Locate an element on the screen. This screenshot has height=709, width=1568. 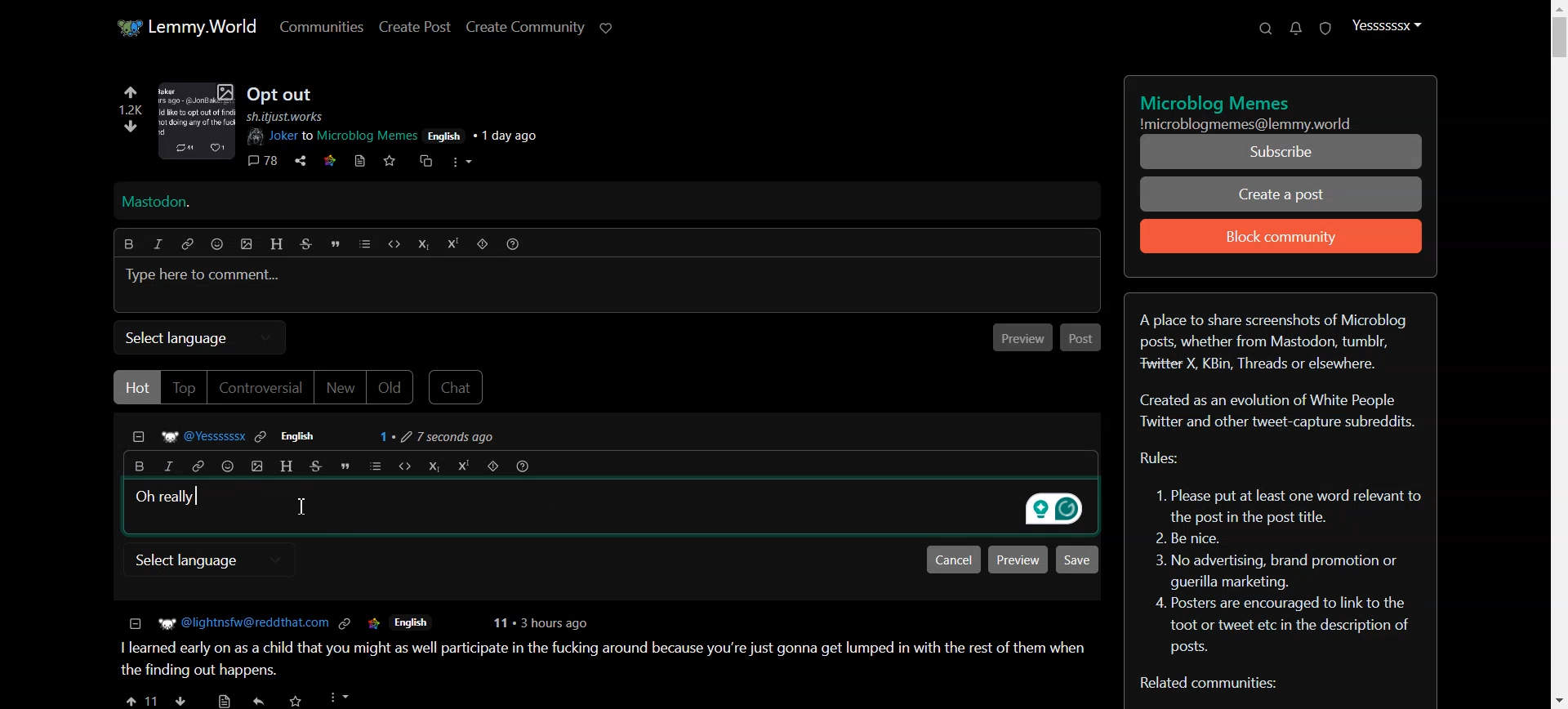
Create Post is located at coordinates (415, 26).